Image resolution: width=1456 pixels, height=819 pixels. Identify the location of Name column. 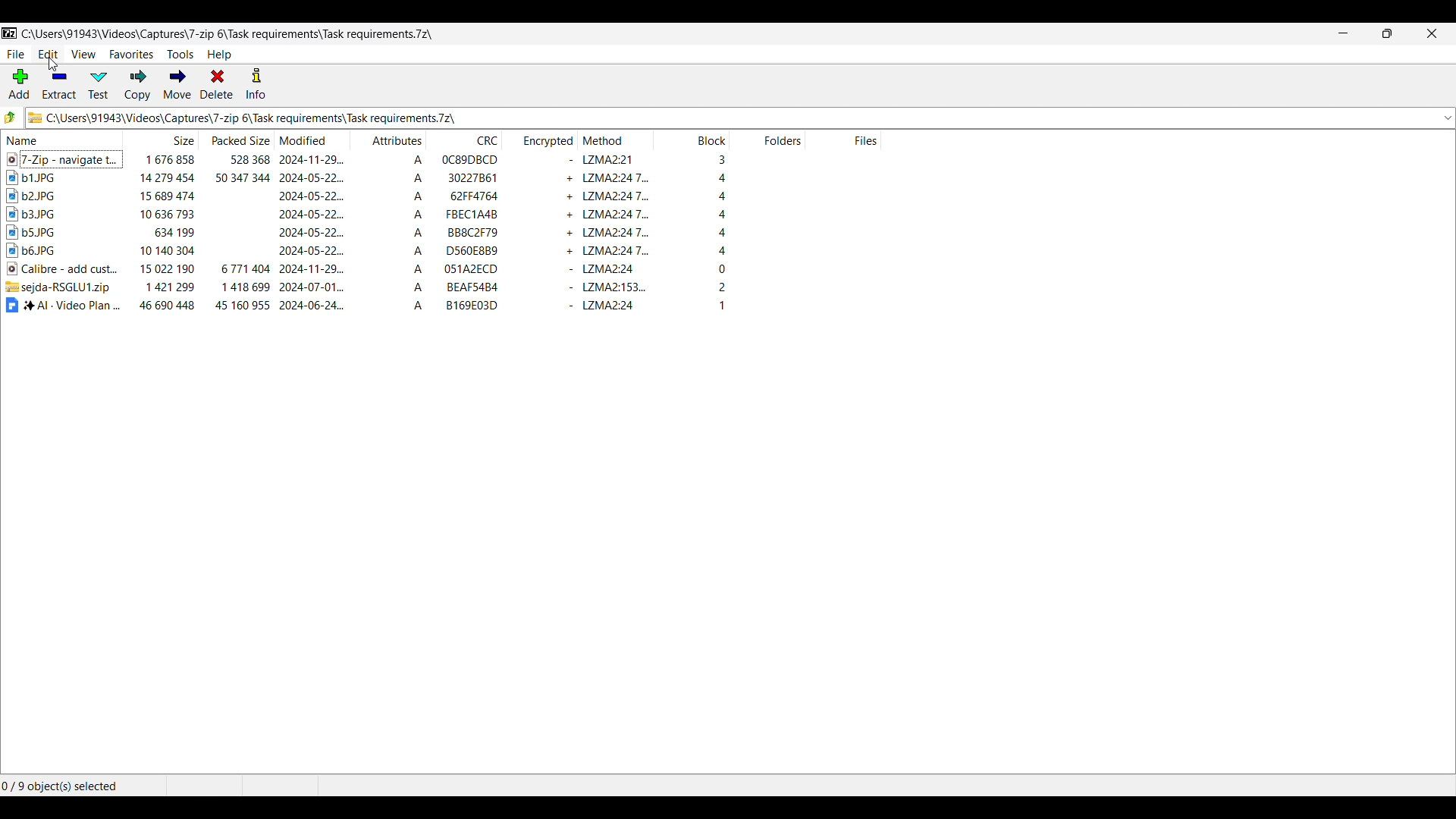
(63, 139).